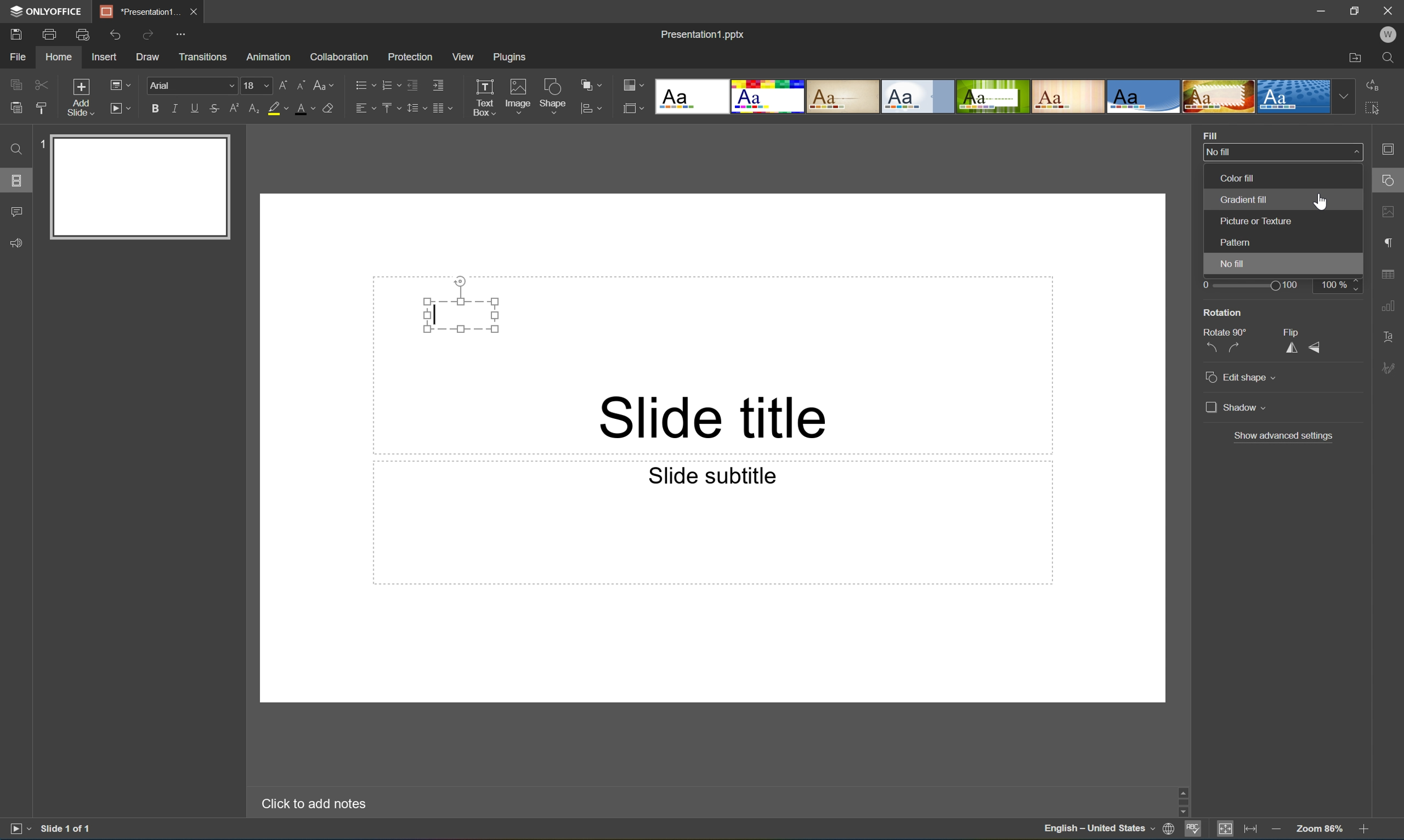  I want to click on Slide, so click(142, 187).